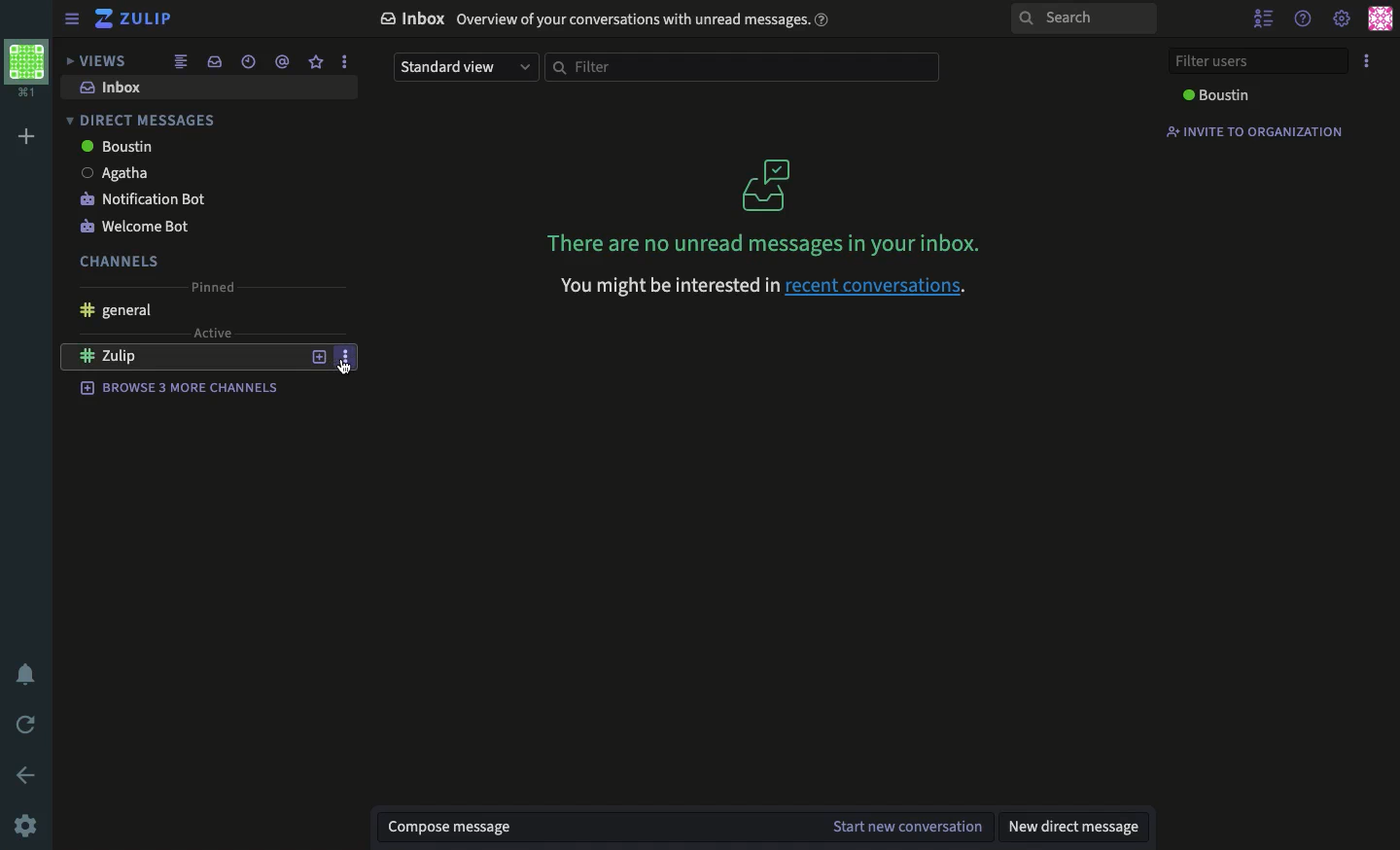 The height and width of the screenshot is (850, 1400). What do you see at coordinates (146, 198) in the screenshot?
I see `notification bot` at bounding box center [146, 198].